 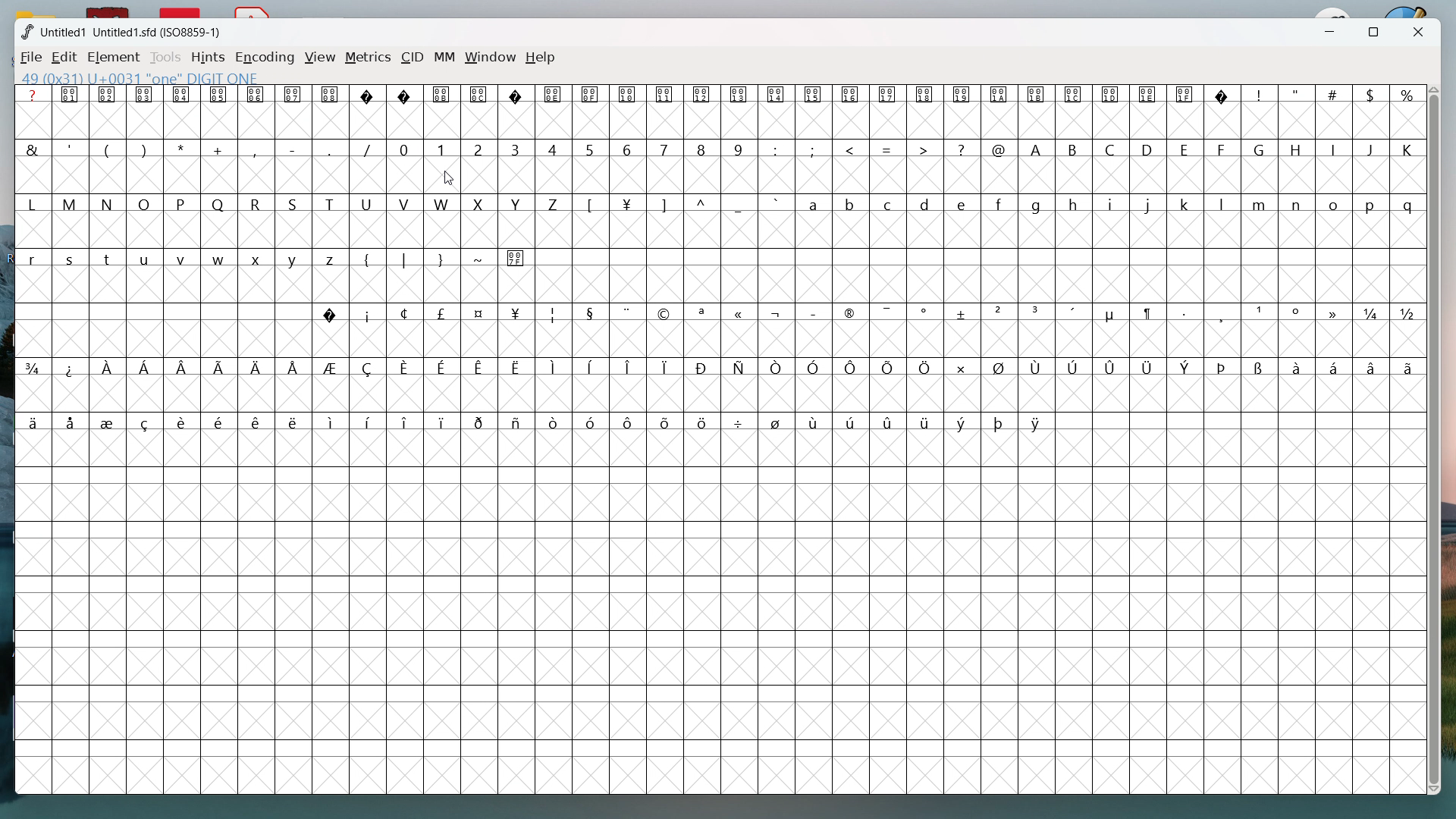 What do you see at coordinates (704, 367) in the screenshot?
I see `symbol` at bounding box center [704, 367].